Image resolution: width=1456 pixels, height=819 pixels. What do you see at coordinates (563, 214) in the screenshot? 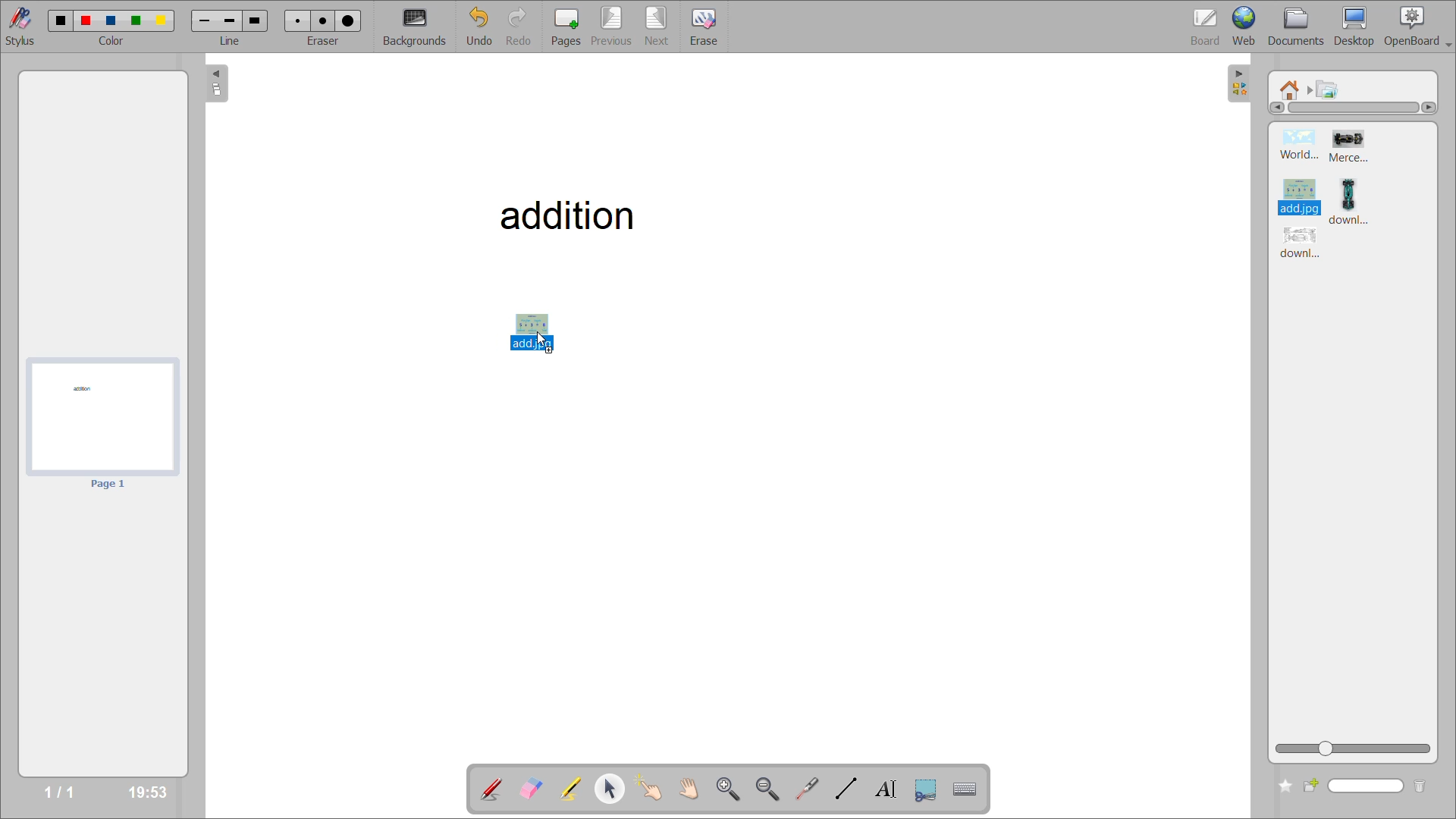
I see `addition - title` at bounding box center [563, 214].